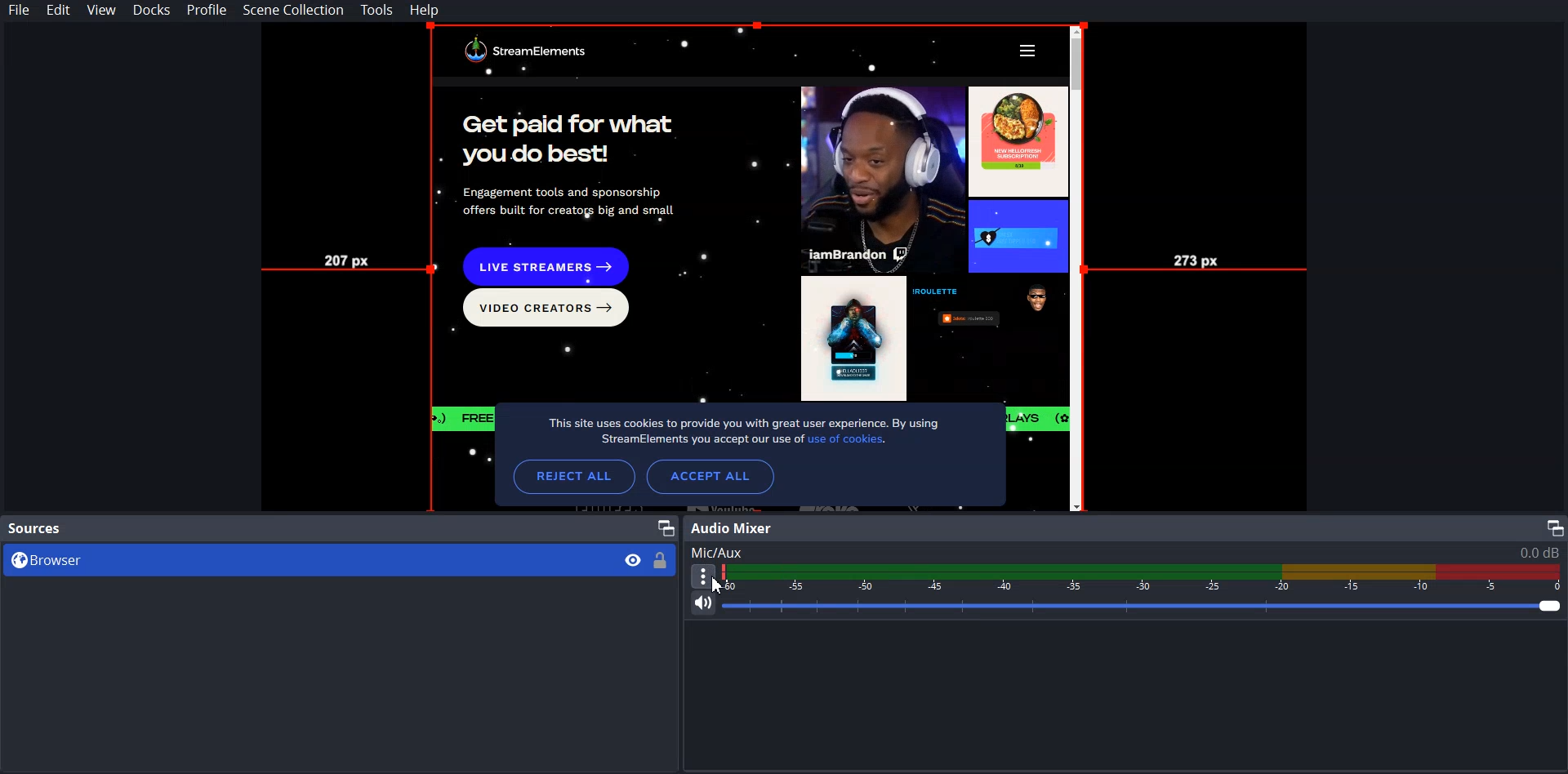 The height and width of the screenshot is (774, 1568). I want to click on Mute, so click(703, 603).